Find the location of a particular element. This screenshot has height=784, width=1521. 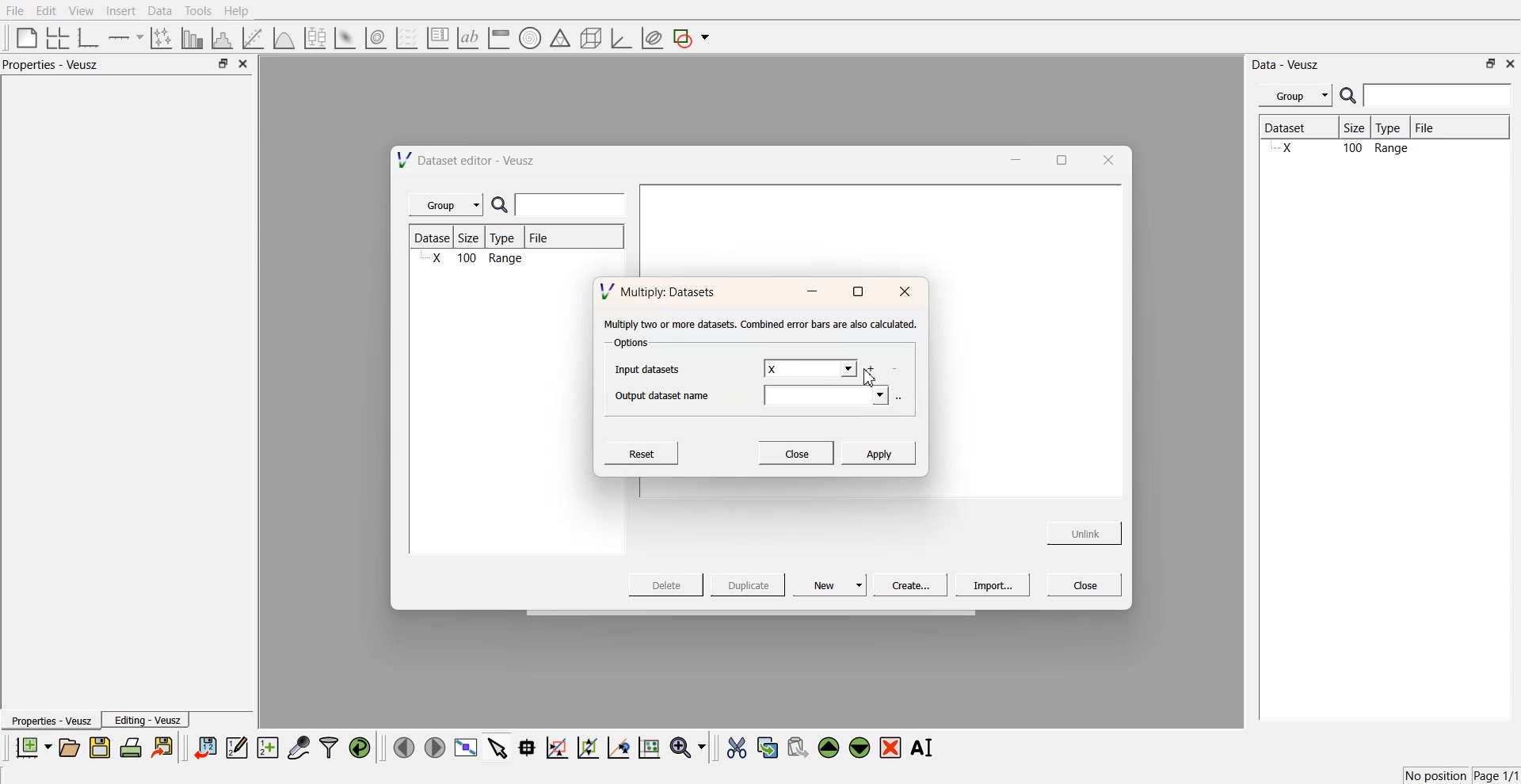

histogram is located at coordinates (225, 37).